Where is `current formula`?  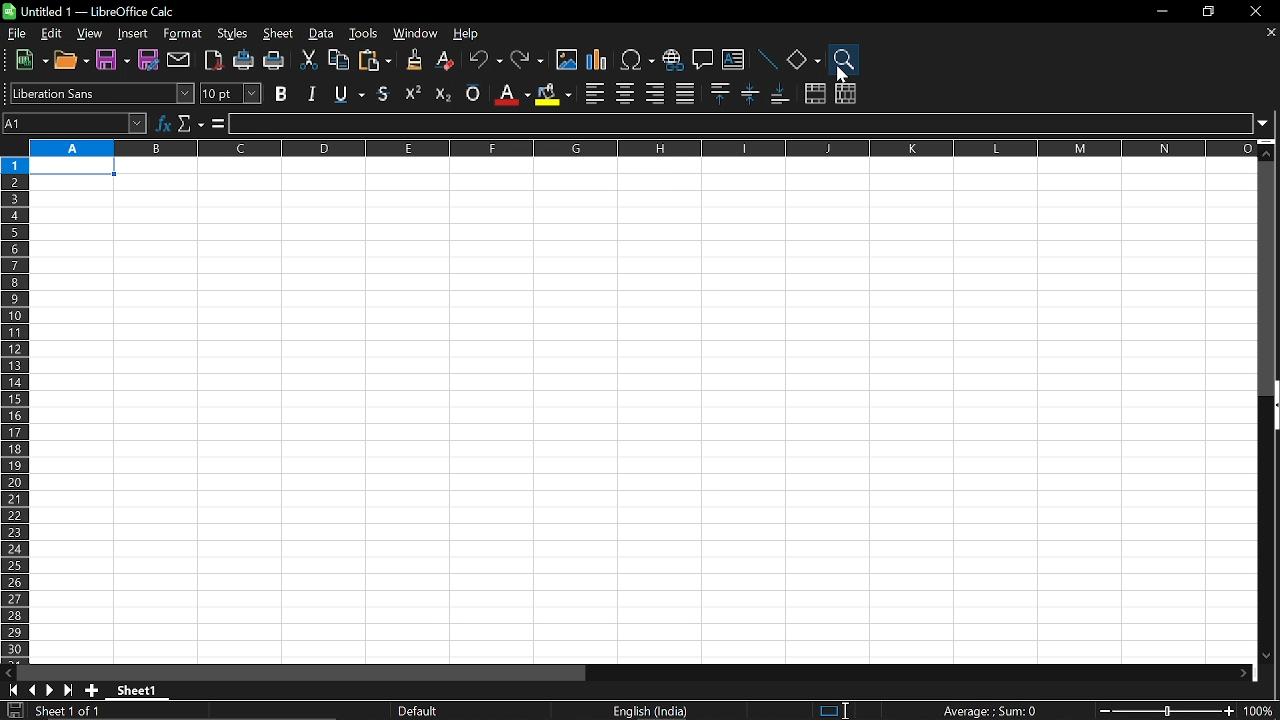 current formula is located at coordinates (990, 711).